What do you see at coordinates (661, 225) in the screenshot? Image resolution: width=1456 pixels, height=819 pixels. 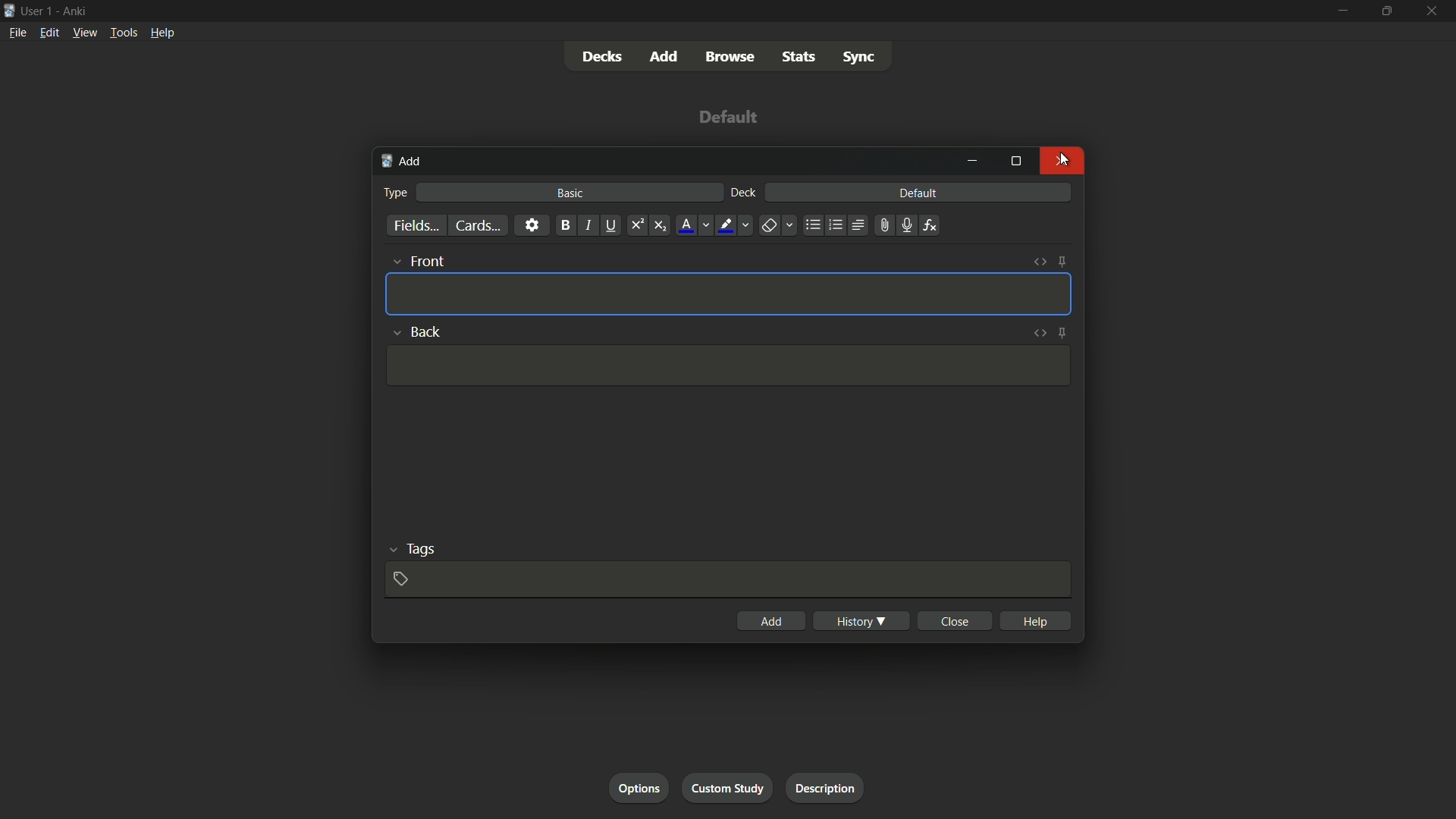 I see `subscript` at bounding box center [661, 225].